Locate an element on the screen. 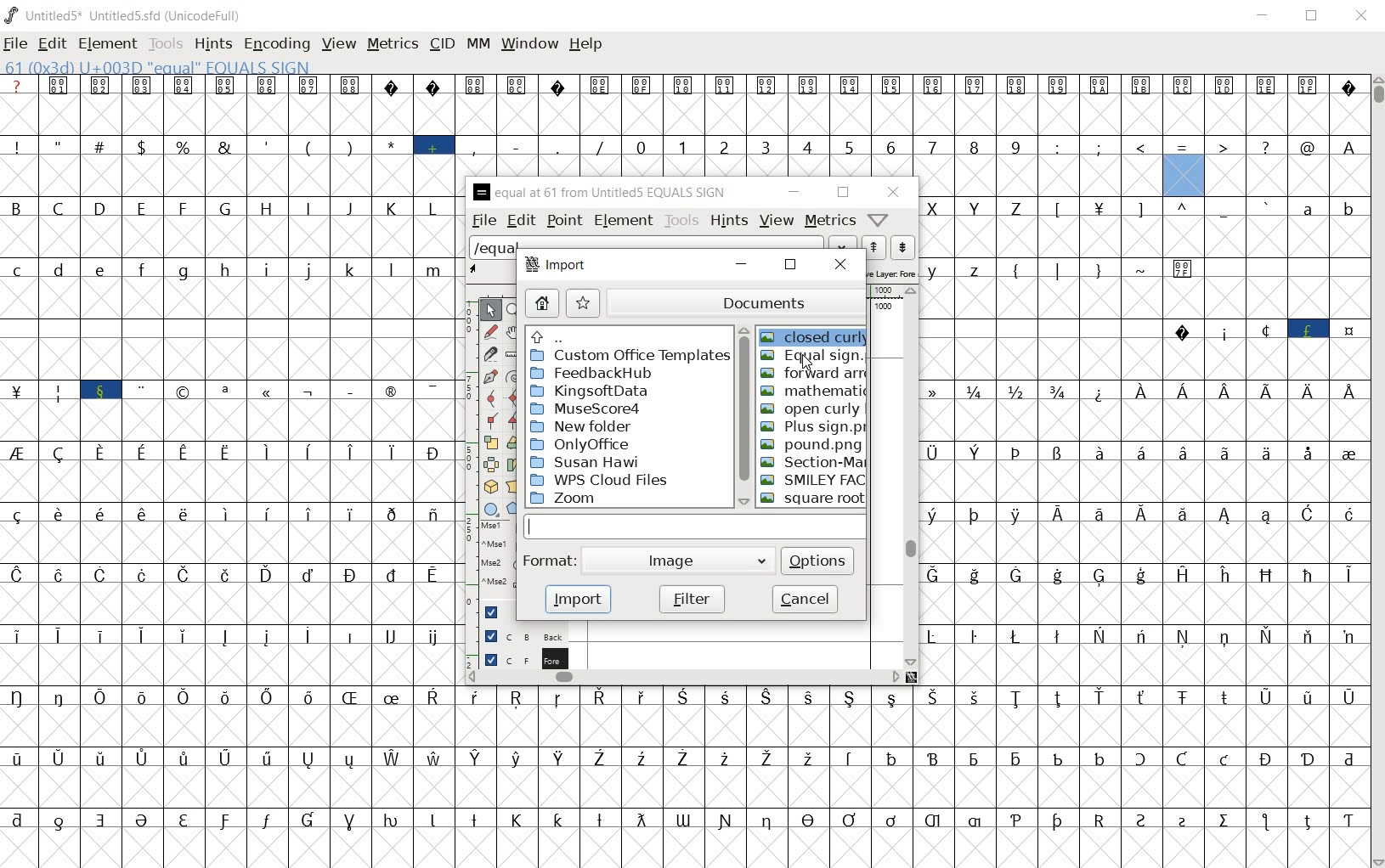  MuseScore4 is located at coordinates (584, 408).